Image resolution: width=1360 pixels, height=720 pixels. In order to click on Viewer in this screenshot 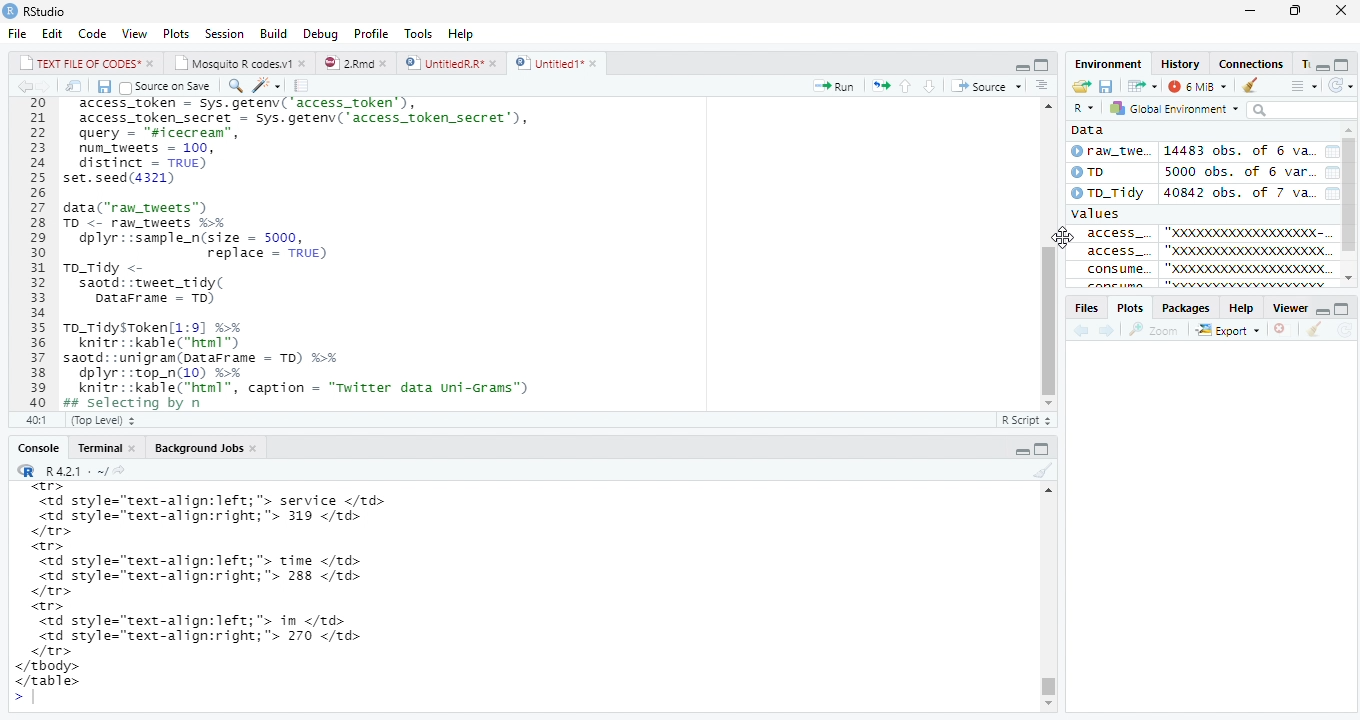, I will do `click(1287, 307)`.